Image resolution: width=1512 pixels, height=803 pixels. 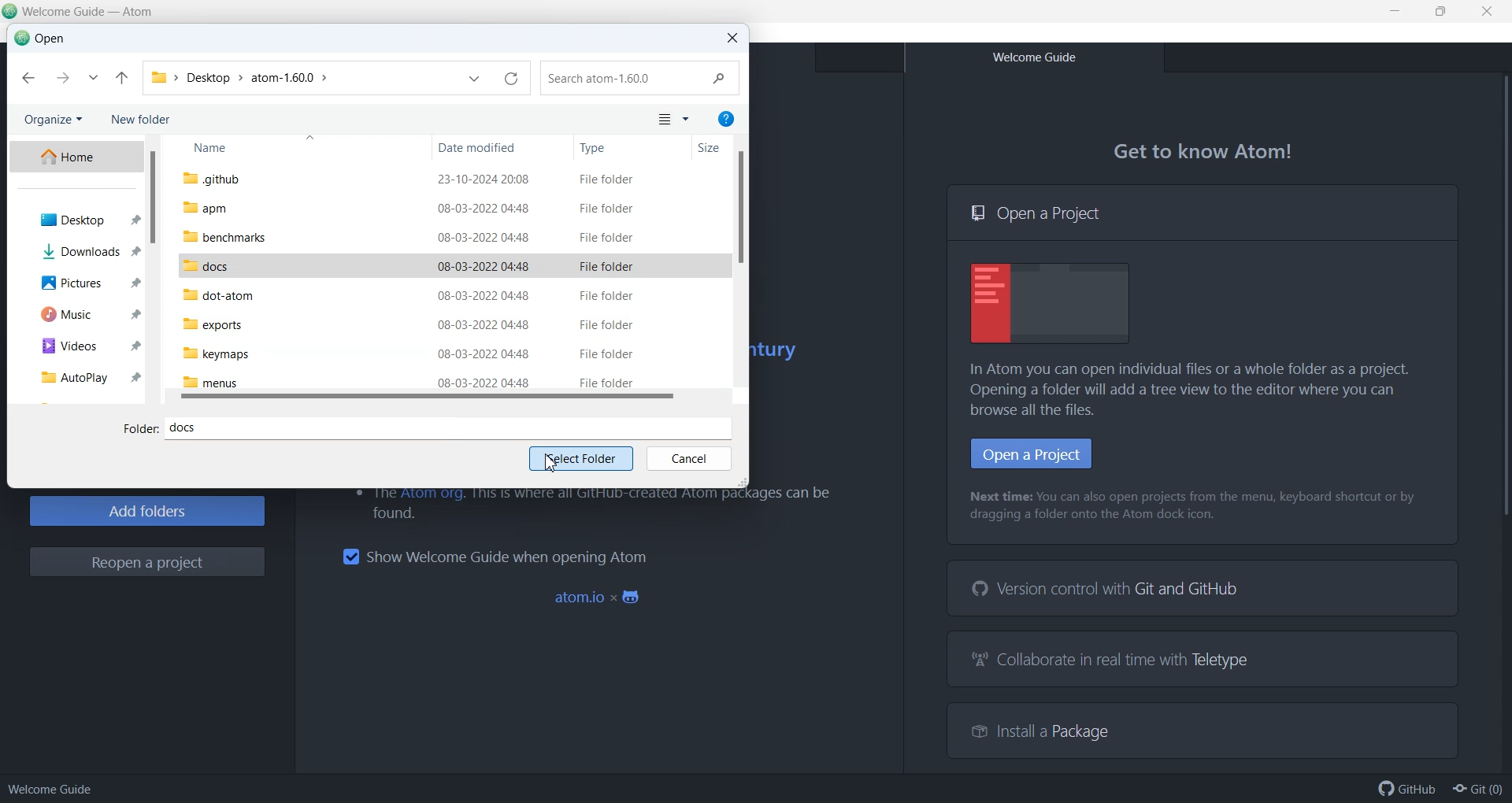 I want to click on Cancel, so click(x=688, y=460).